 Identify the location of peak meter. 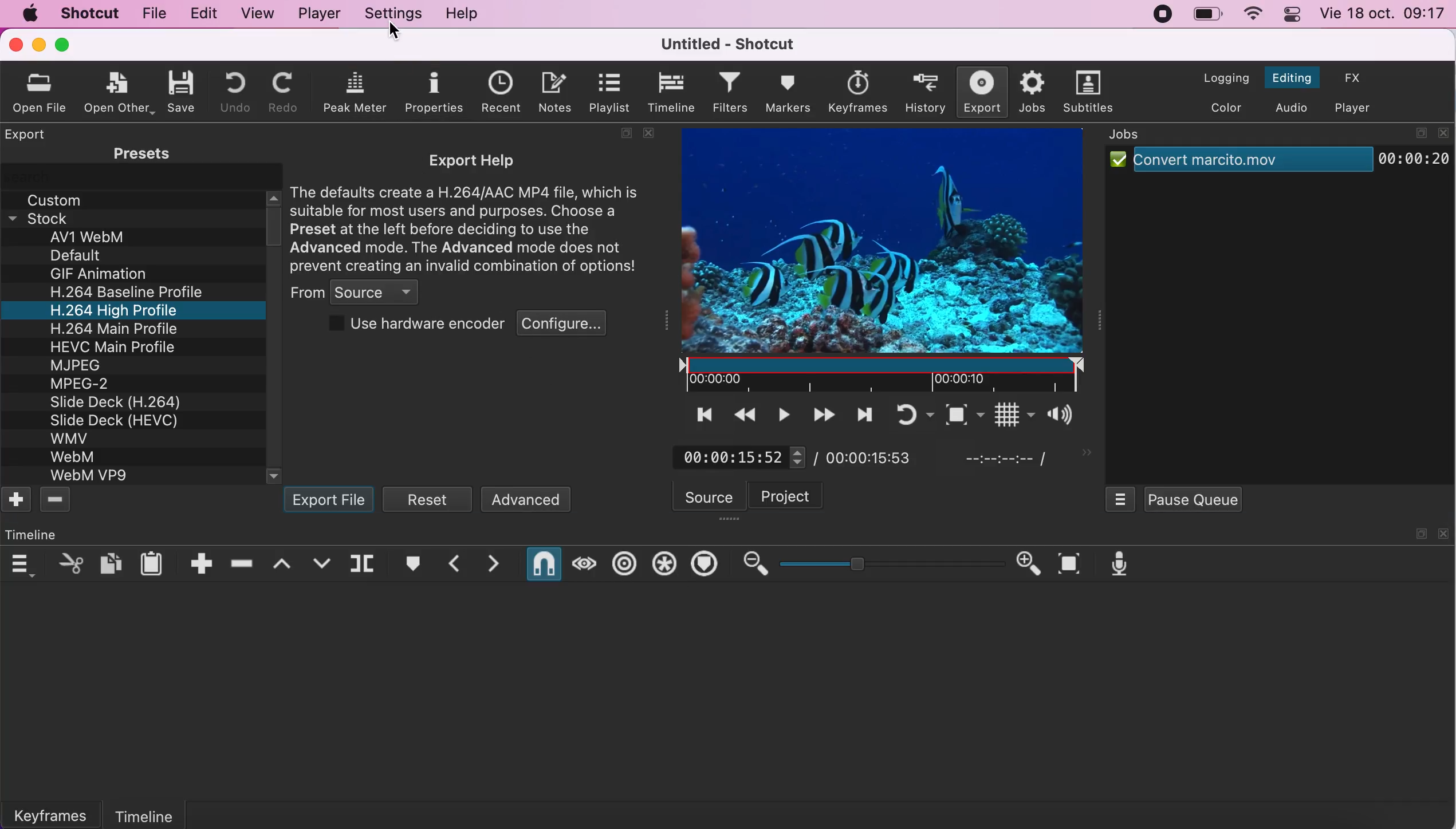
(355, 93).